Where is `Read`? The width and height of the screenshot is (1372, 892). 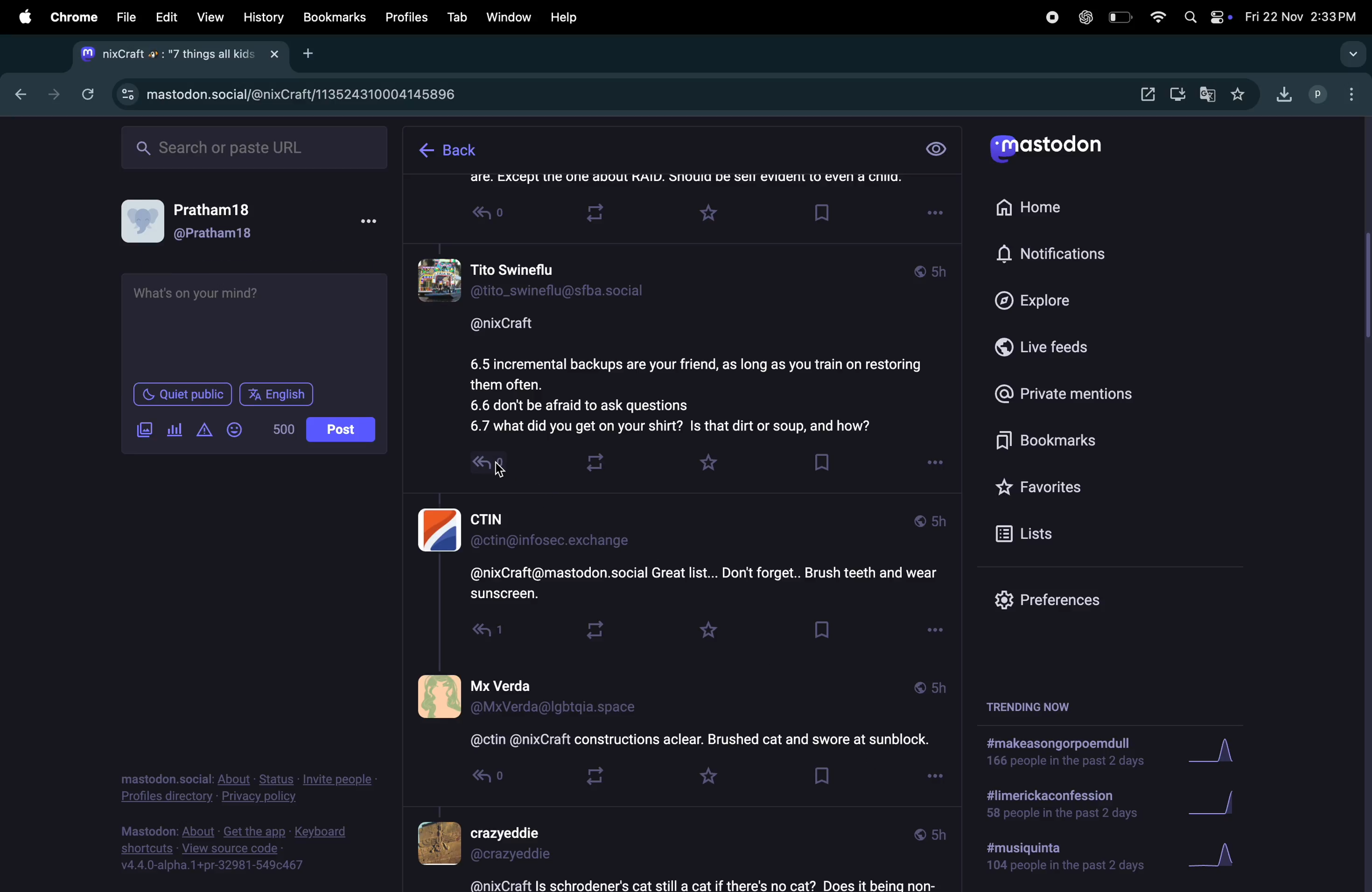 Read is located at coordinates (492, 216).